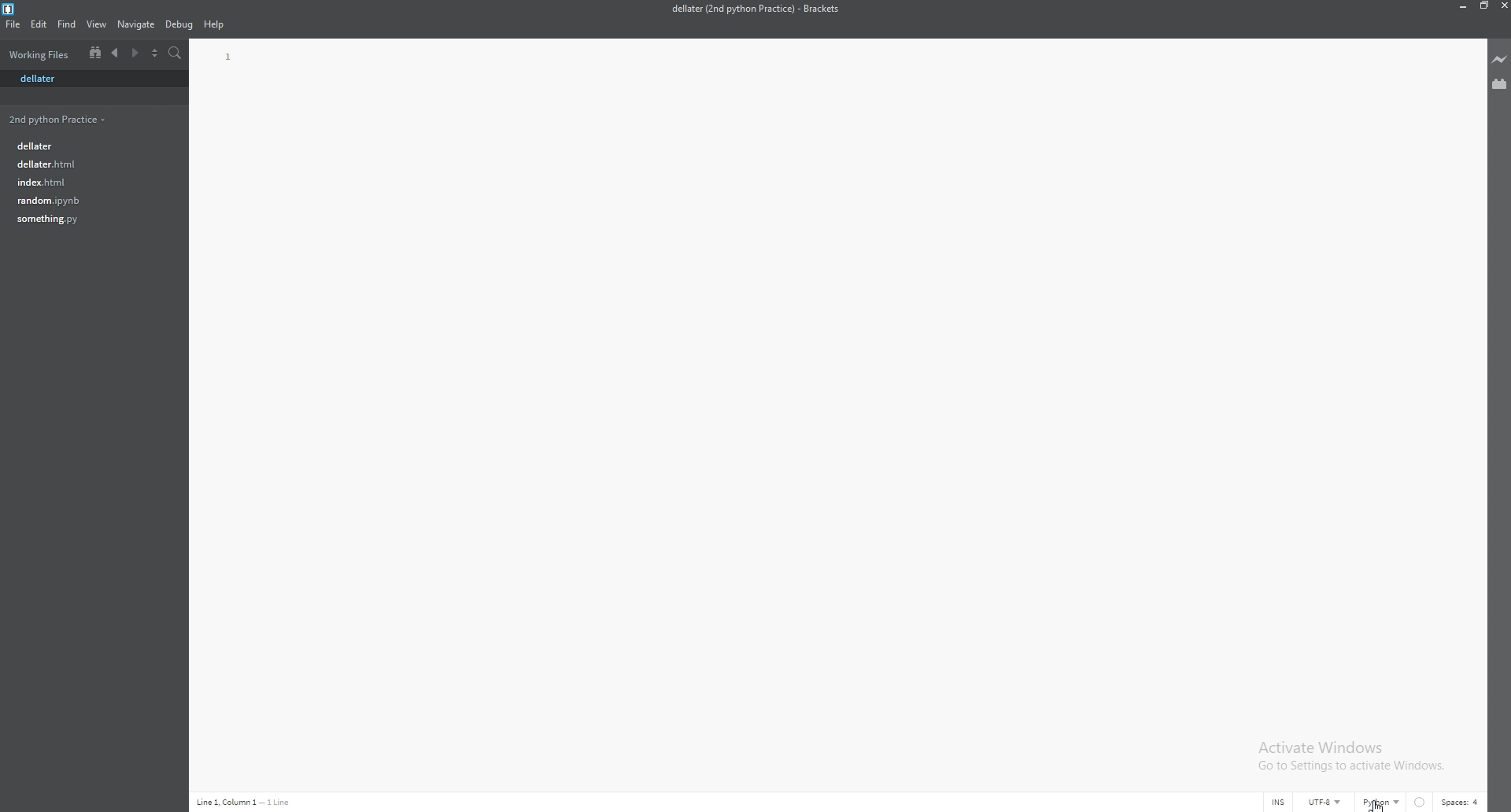 This screenshot has height=812, width=1511. I want to click on live preview, so click(1500, 59).